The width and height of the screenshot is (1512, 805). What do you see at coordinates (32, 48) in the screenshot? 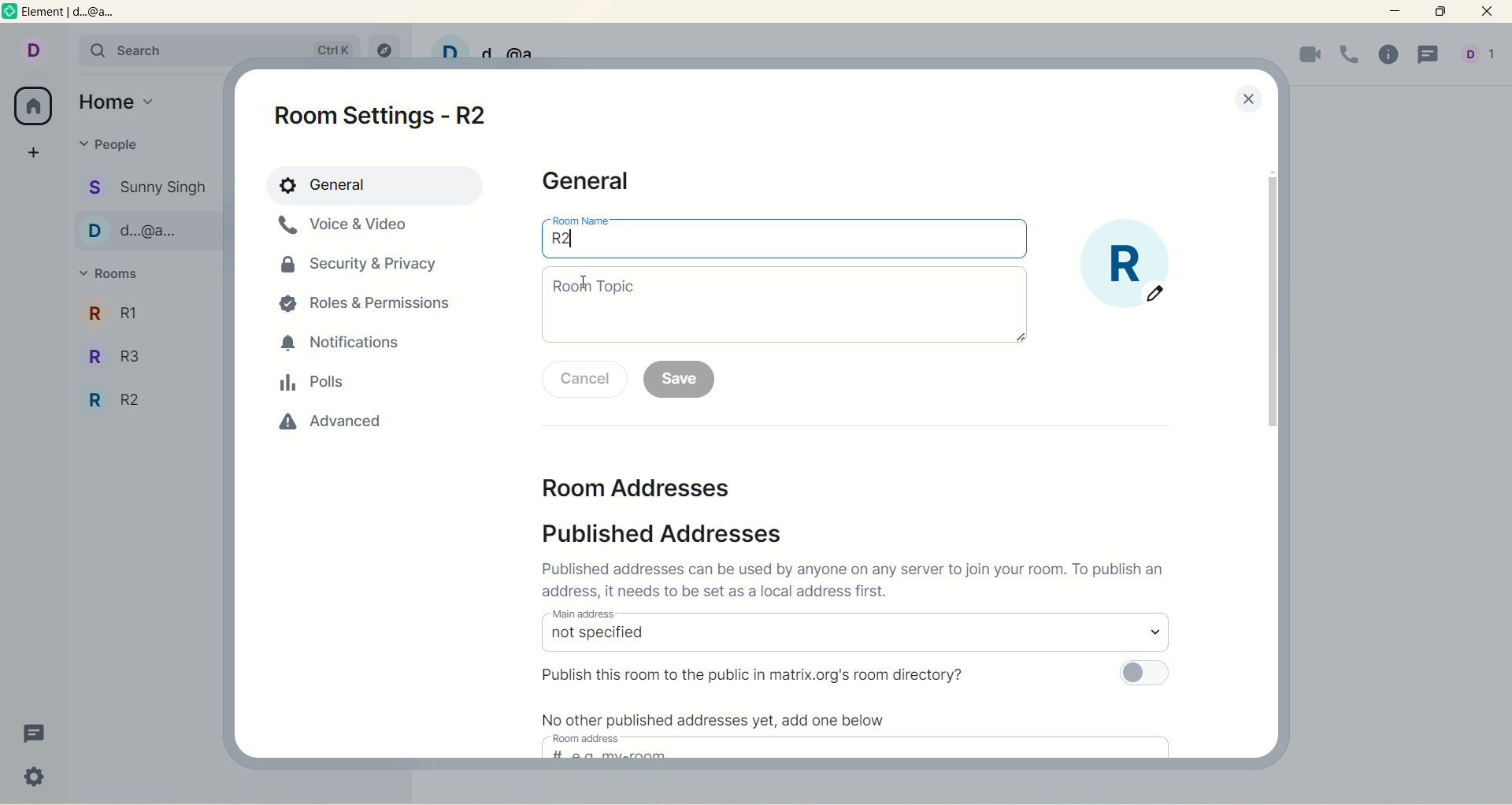
I see `account` at bounding box center [32, 48].